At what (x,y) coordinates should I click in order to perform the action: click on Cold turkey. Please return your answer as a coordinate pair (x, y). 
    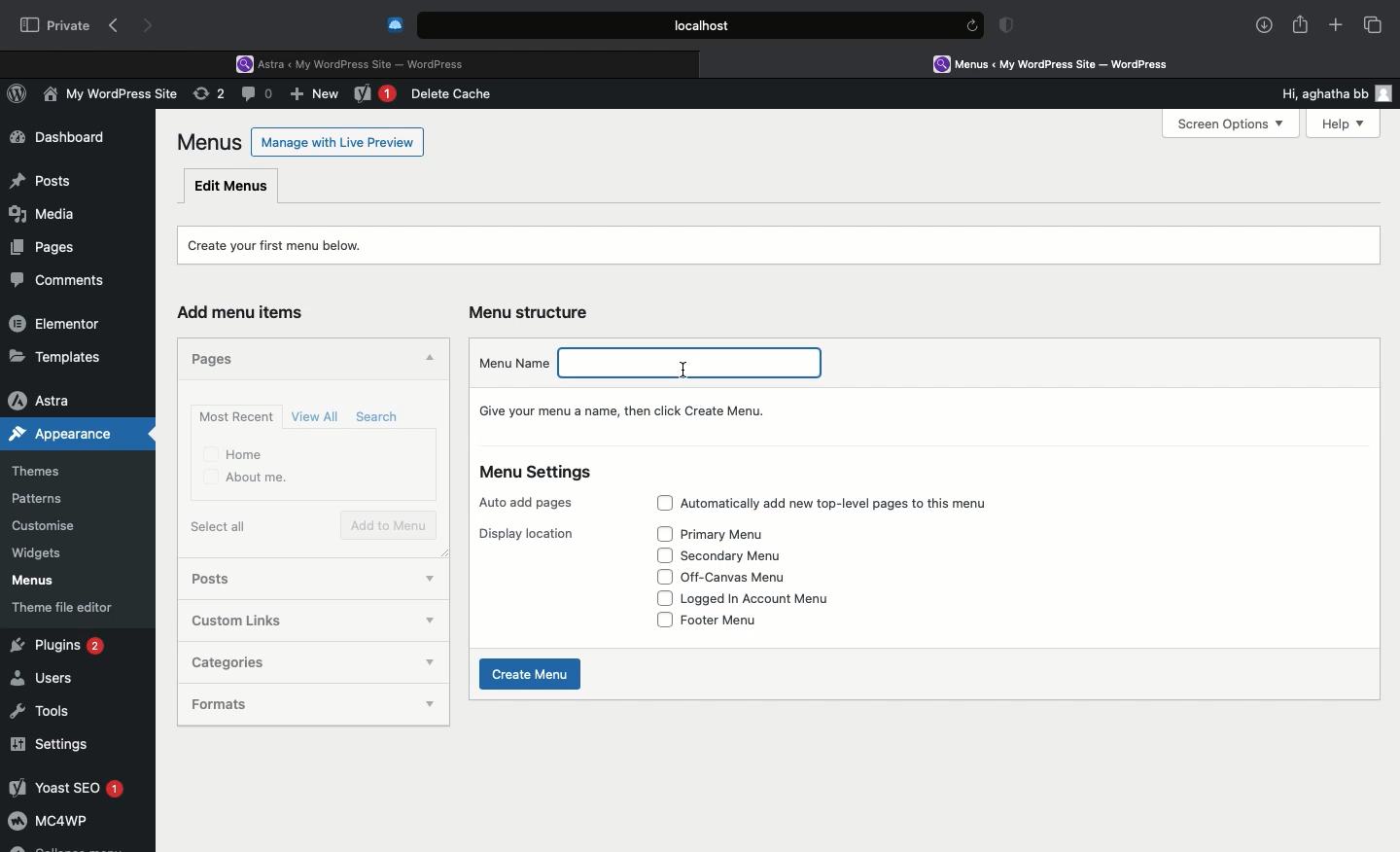
    Looking at the image, I should click on (396, 25).